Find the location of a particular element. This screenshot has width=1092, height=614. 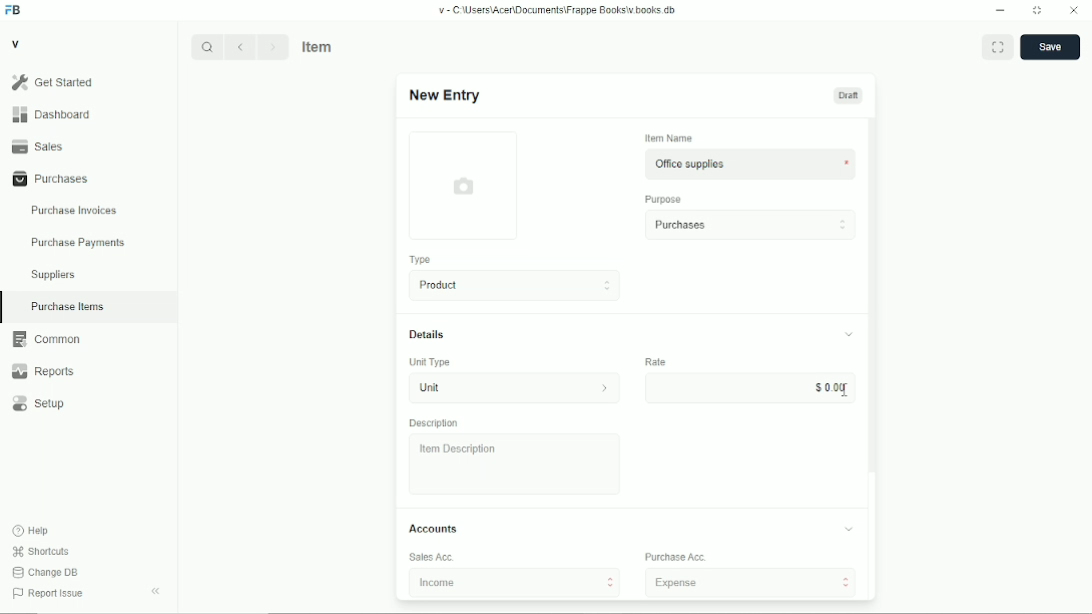

shortcuts is located at coordinates (41, 552).